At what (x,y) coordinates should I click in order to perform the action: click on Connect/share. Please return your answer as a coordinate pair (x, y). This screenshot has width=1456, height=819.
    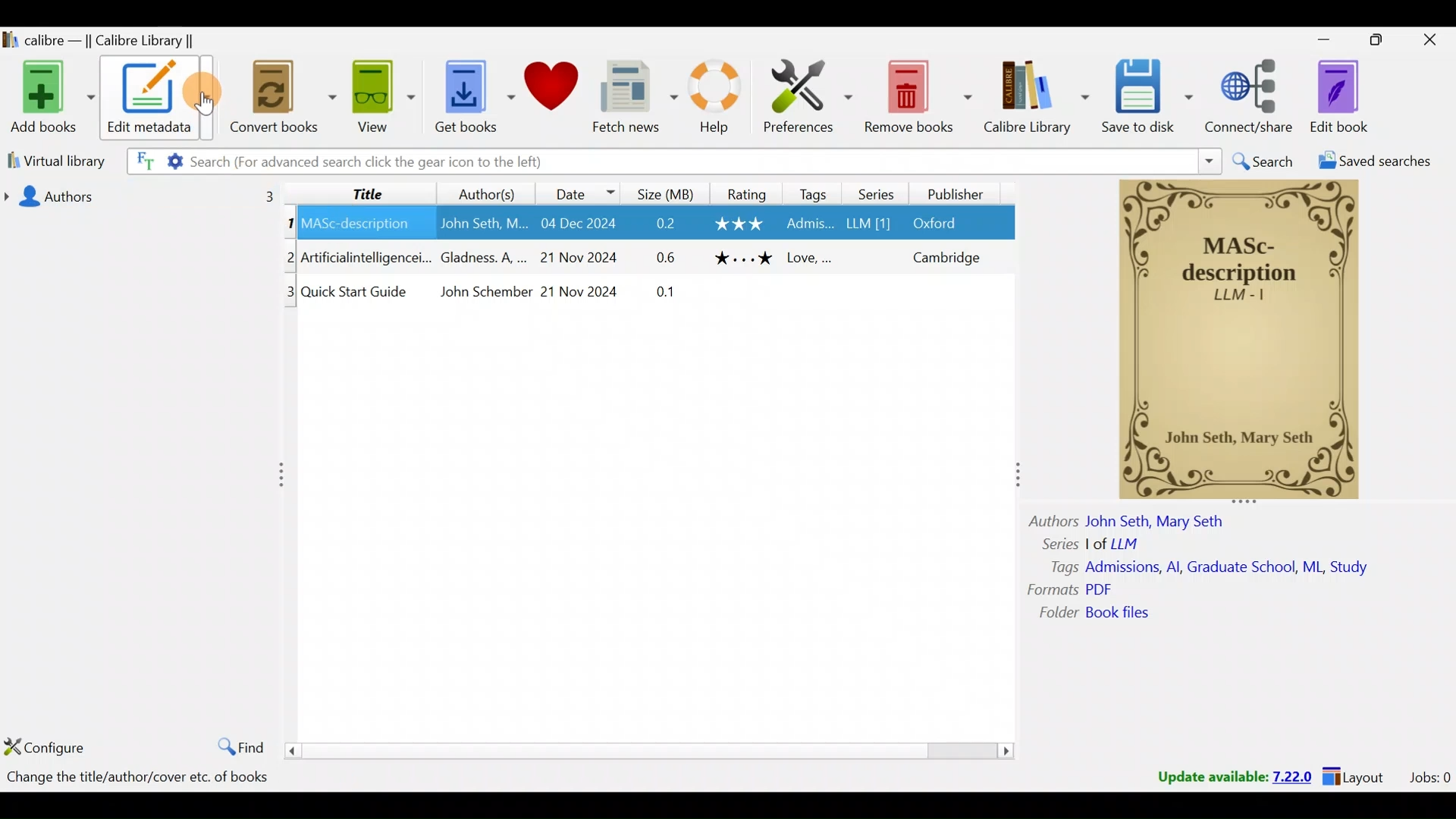
    Looking at the image, I should click on (1250, 97).